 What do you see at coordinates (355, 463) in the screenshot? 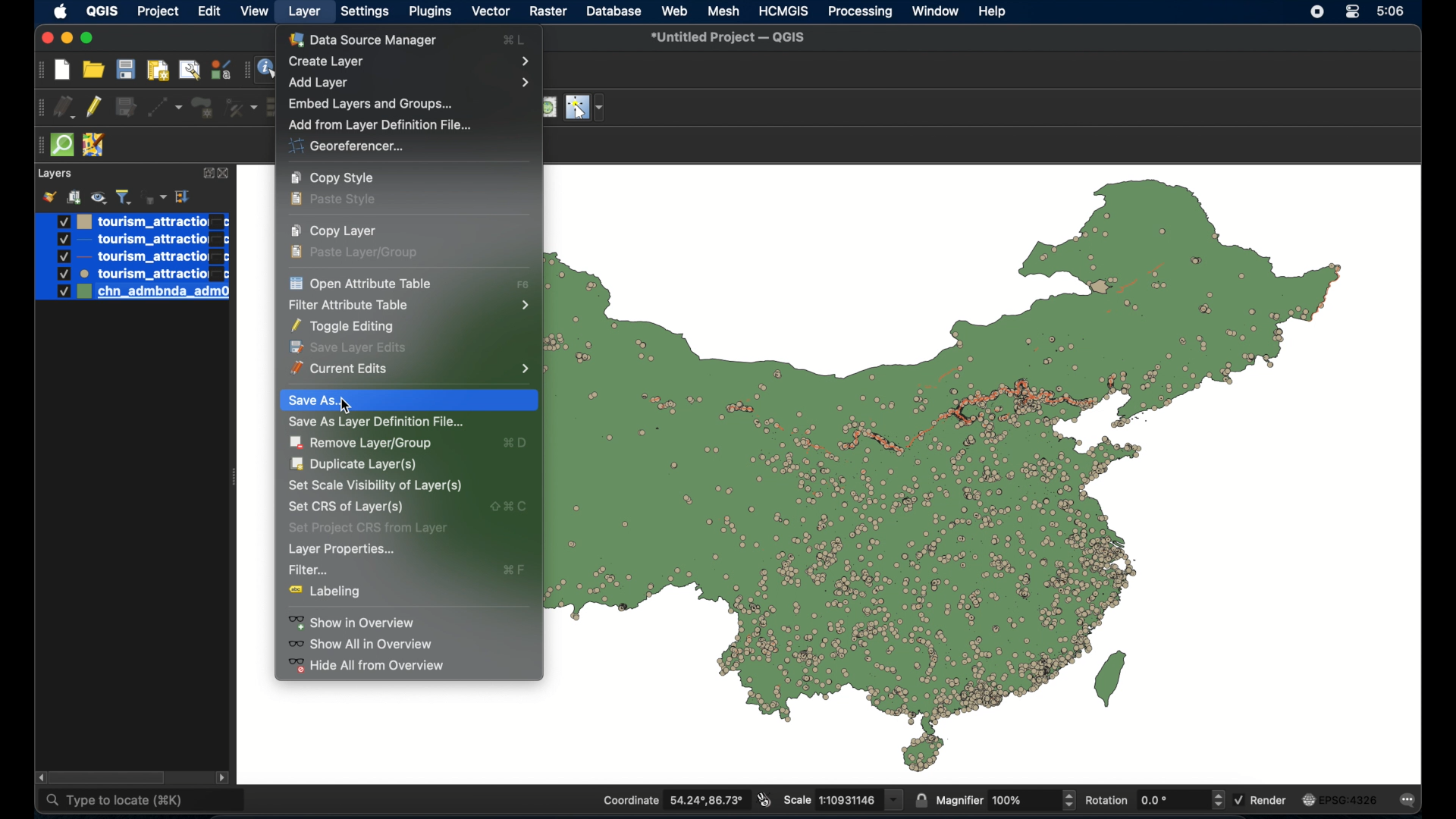
I see `duplicate layers` at bounding box center [355, 463].